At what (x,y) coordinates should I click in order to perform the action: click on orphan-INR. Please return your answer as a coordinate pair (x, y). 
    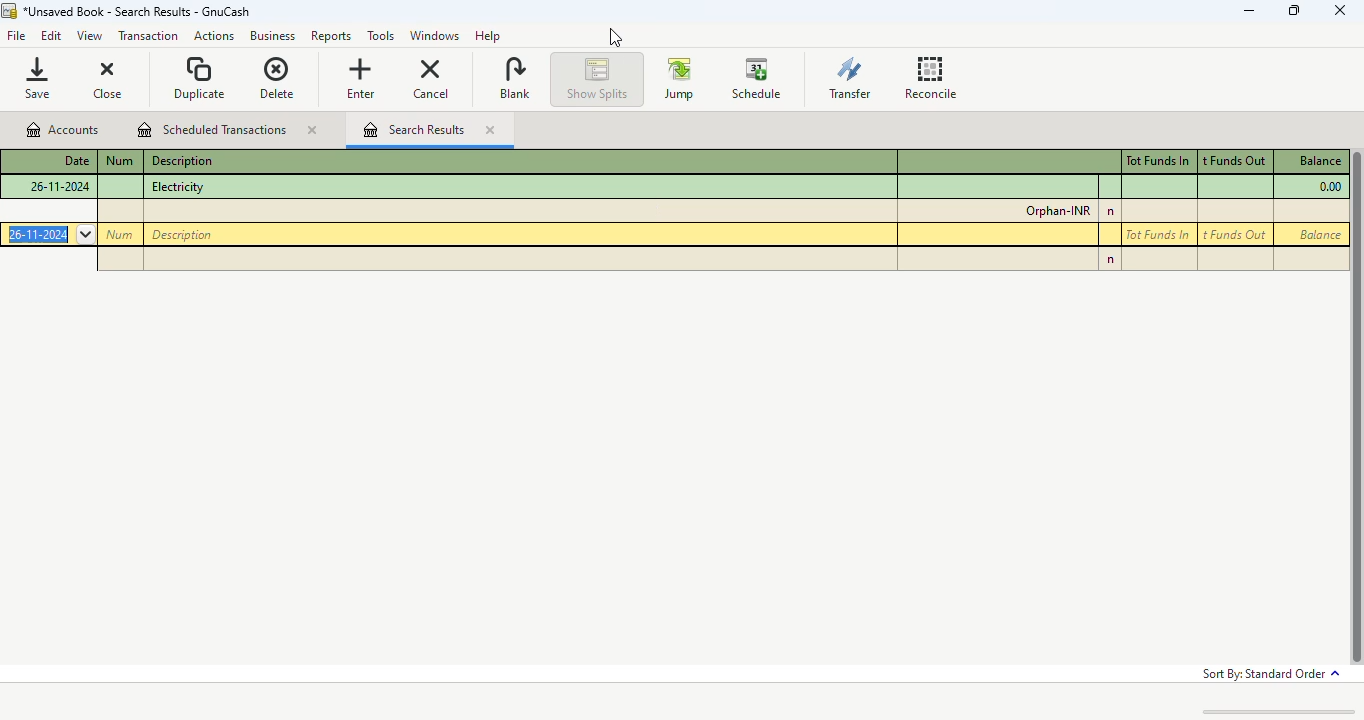
    Looking at the image, I should click on (1057, 211).